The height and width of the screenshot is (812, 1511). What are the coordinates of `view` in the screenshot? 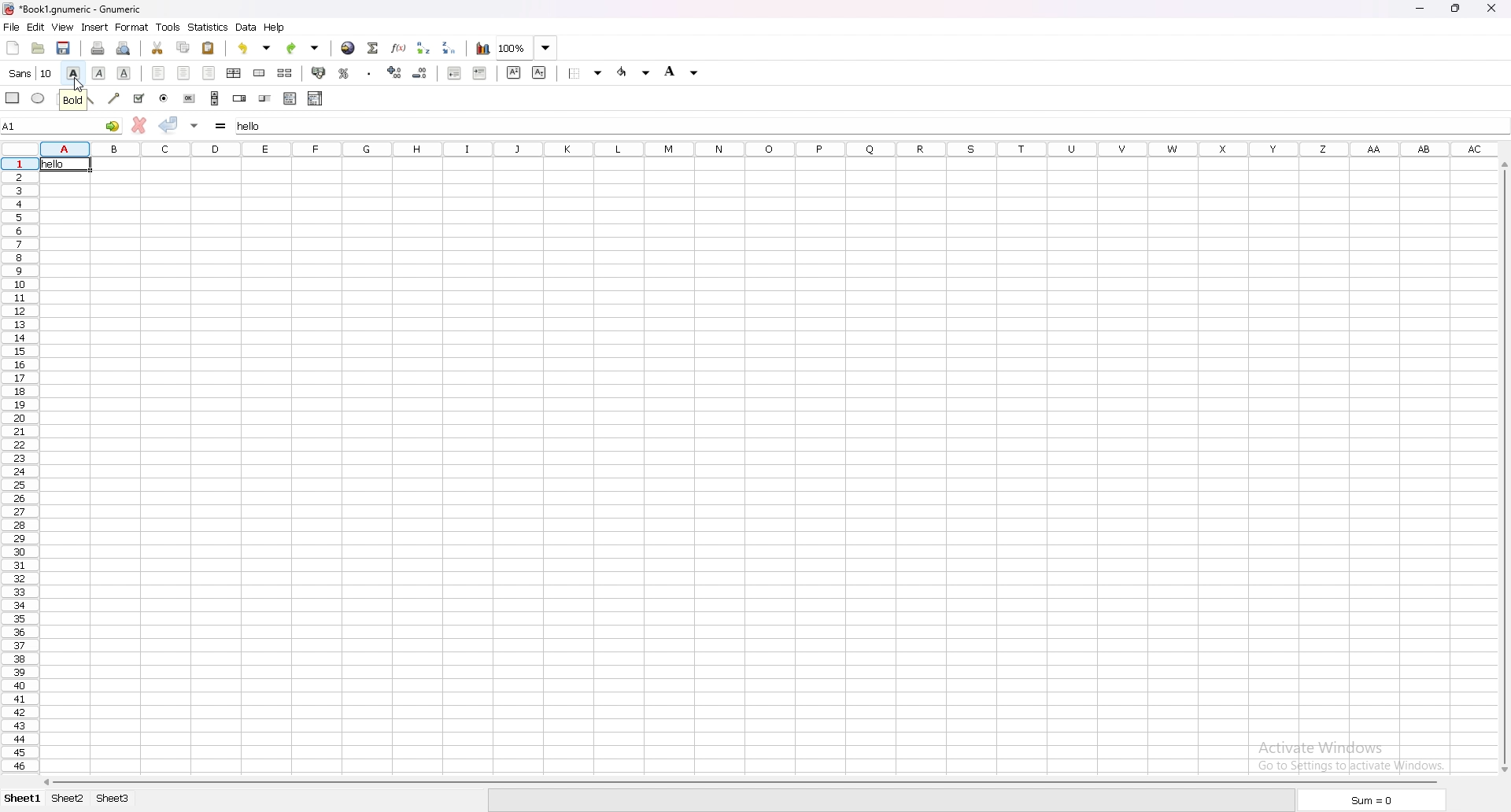 It's located at (62, 27).